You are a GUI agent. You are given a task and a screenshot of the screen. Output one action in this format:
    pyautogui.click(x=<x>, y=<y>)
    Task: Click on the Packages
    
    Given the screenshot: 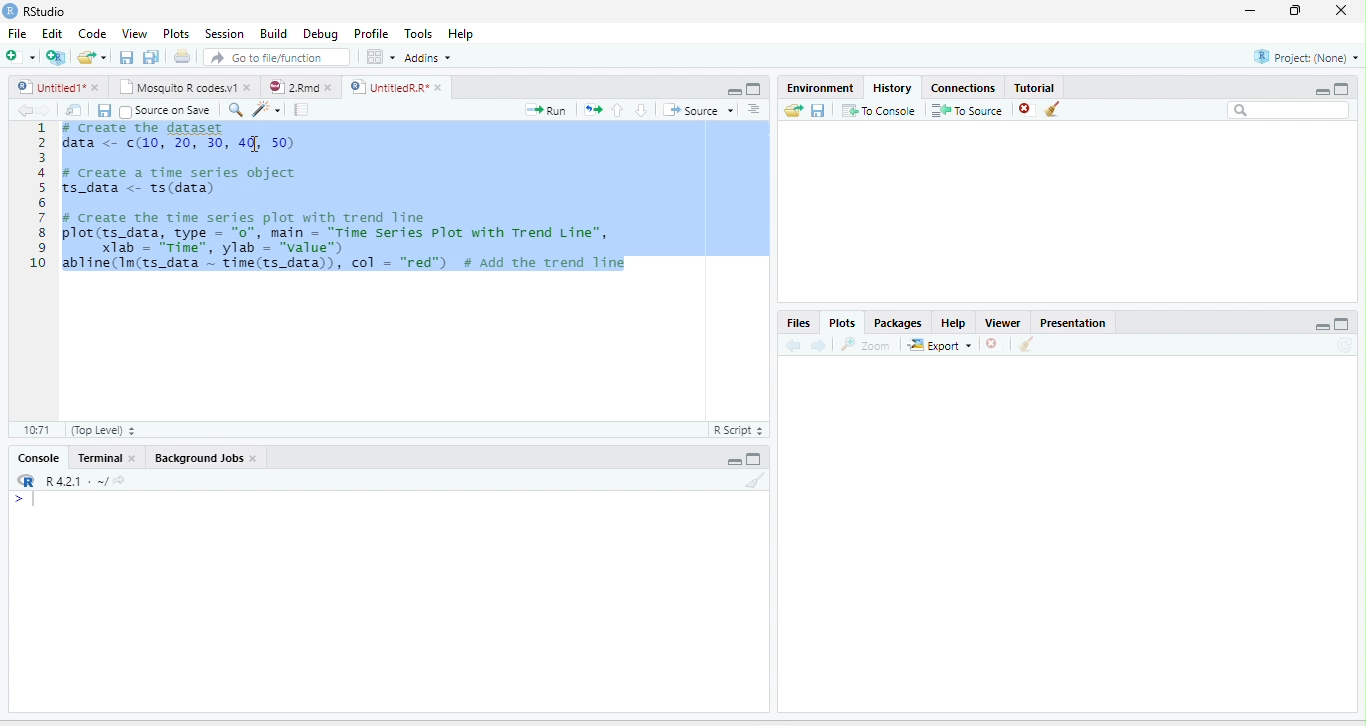 What is the action you would take?
    pyautogui.click(x=897, y=322)
    